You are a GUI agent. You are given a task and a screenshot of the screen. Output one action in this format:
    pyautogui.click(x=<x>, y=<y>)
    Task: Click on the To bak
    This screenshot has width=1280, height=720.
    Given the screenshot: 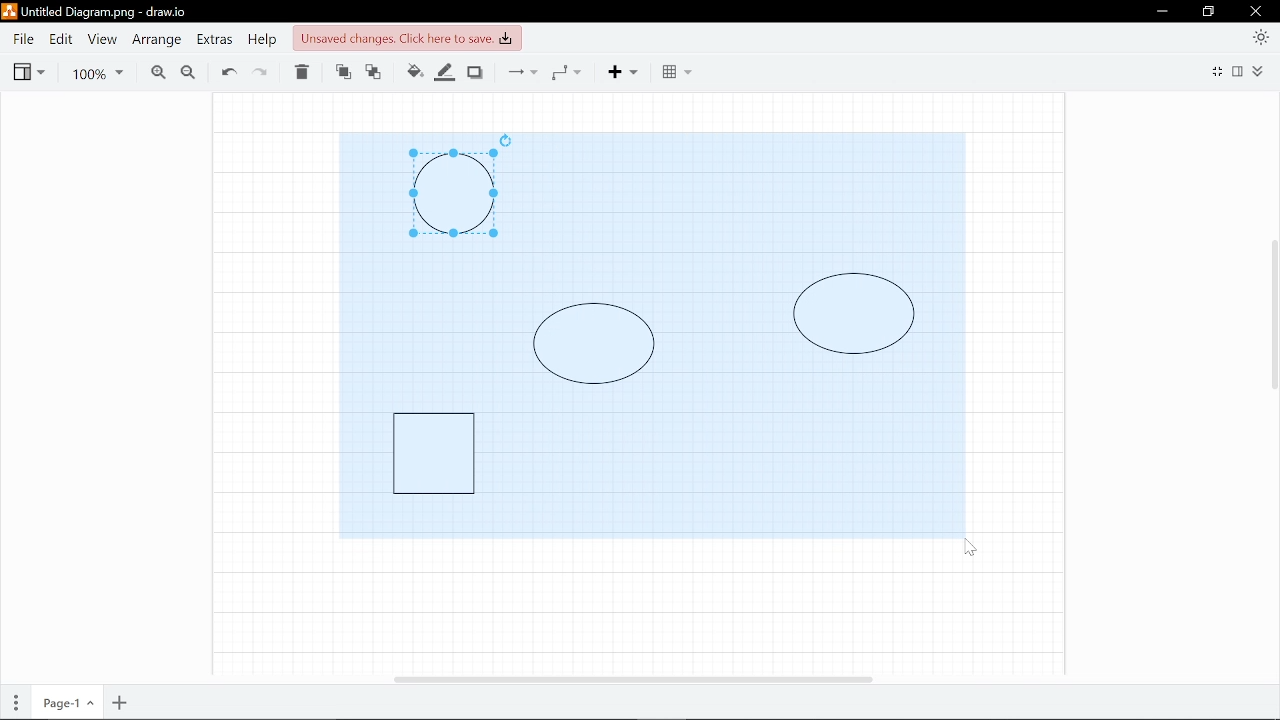 What is the action you would take?
    pyautogui.click(x=377, y=73)
    